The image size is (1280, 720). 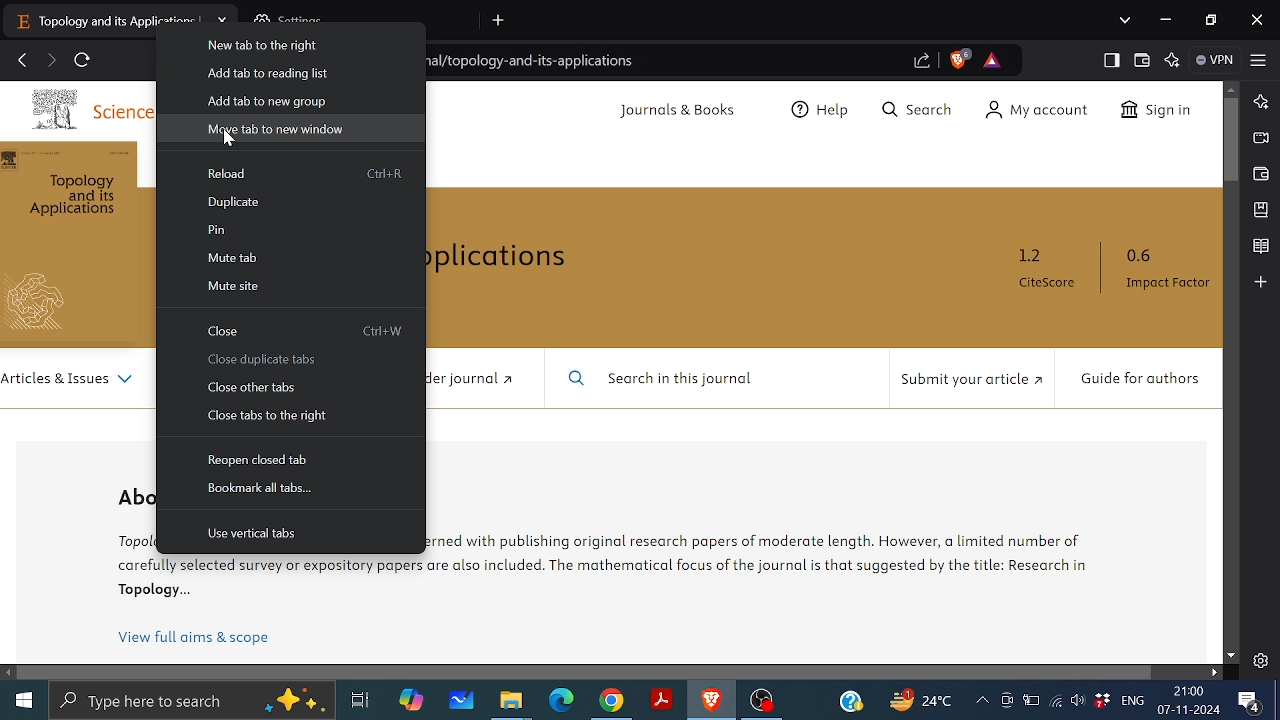 I want to click on Settings tab, so click(x=364, y=20).